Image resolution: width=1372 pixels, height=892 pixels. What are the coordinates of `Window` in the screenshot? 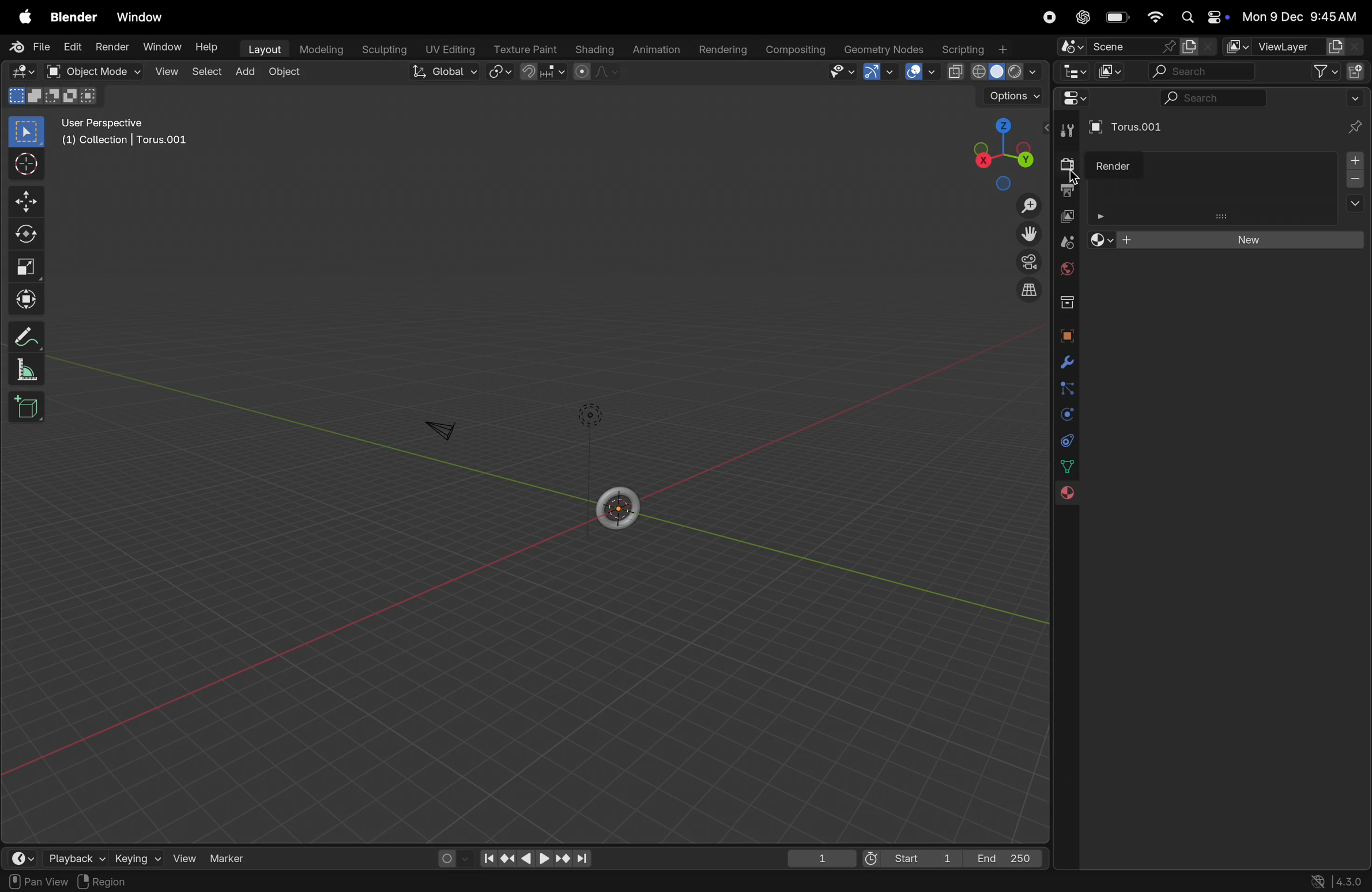 It's located at (144, 17).